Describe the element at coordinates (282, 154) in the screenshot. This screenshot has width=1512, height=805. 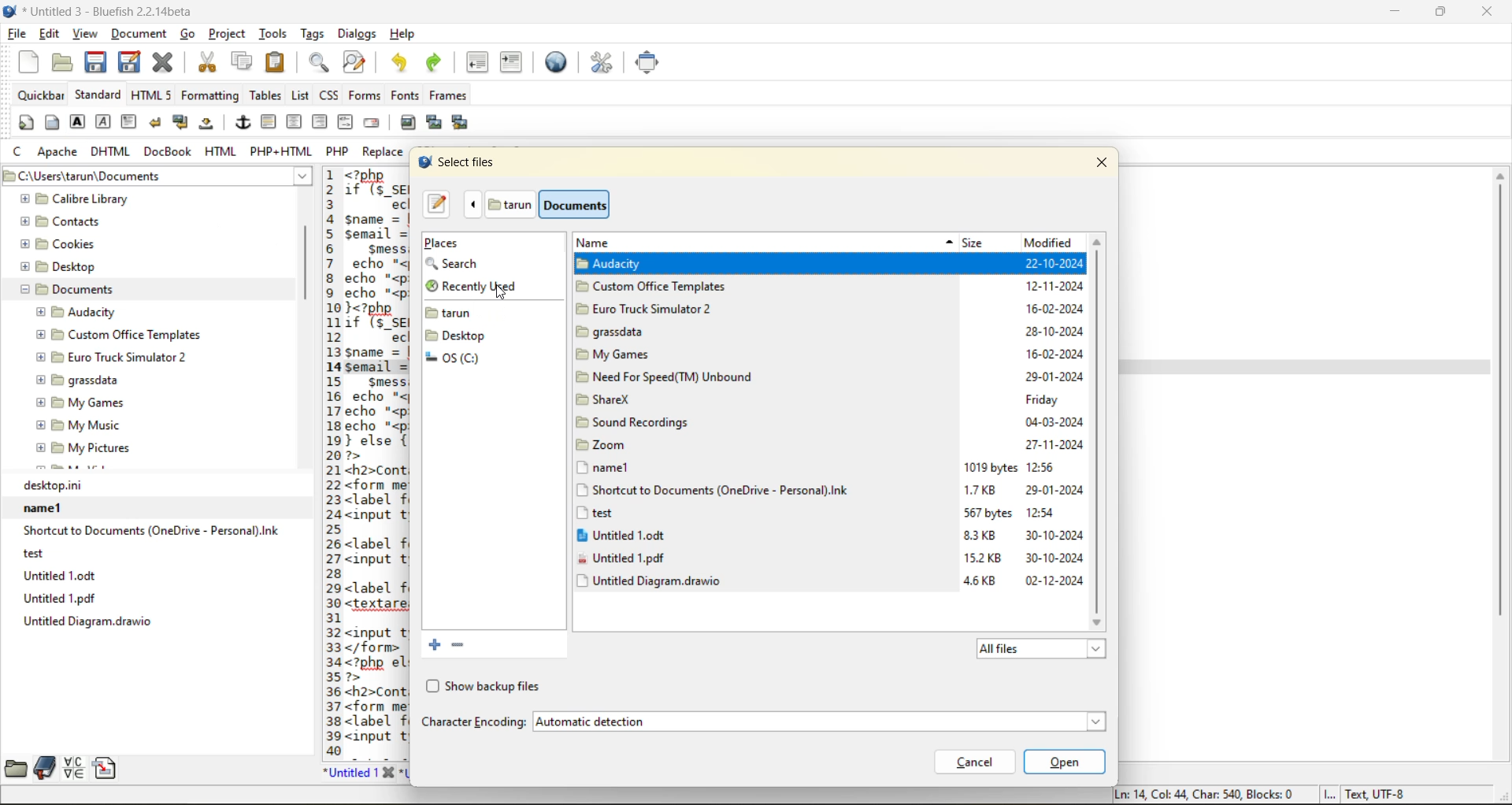
I see `php + html` at that location.